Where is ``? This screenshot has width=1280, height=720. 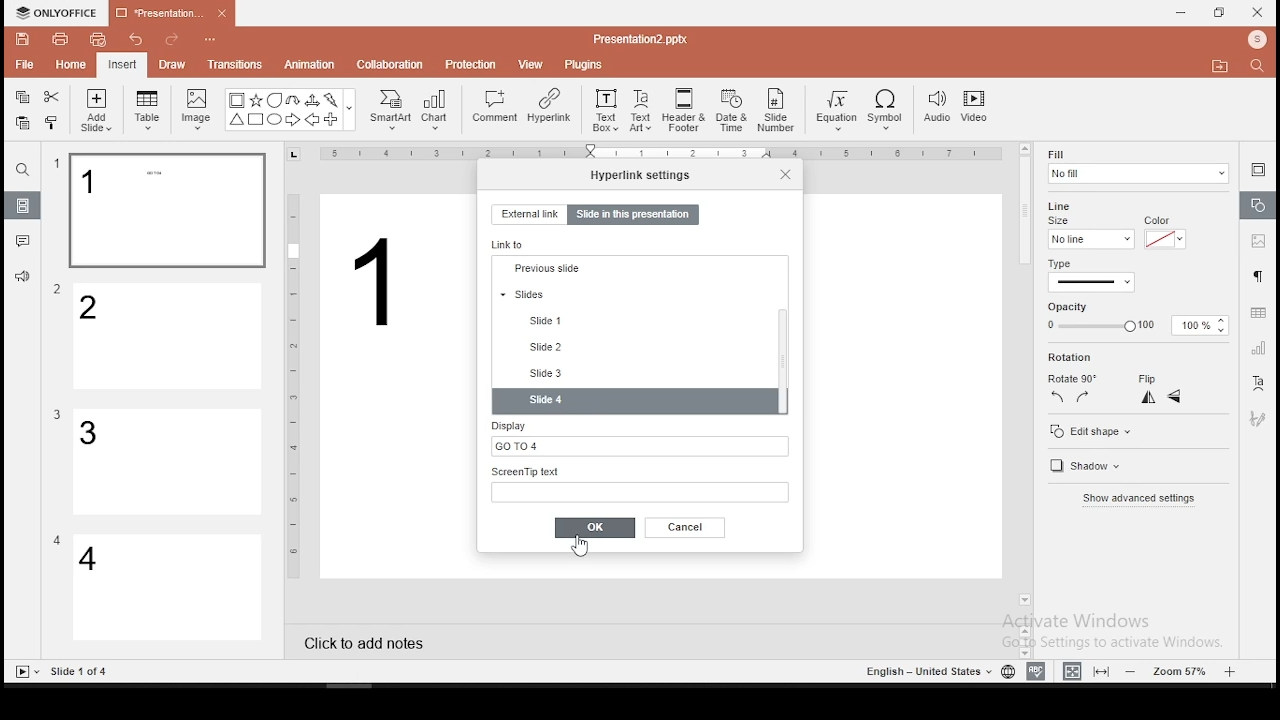  is located at coordinates (57, 164).